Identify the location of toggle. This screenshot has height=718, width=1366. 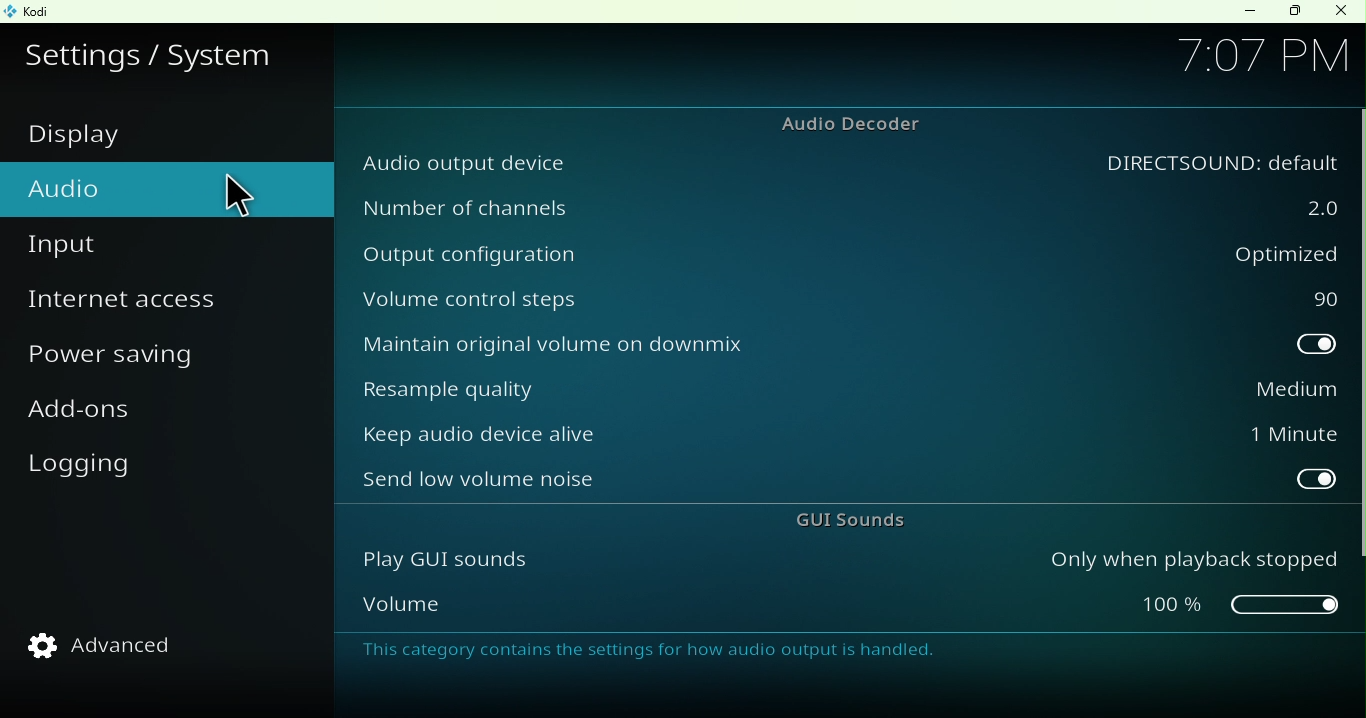
(1223, 480).